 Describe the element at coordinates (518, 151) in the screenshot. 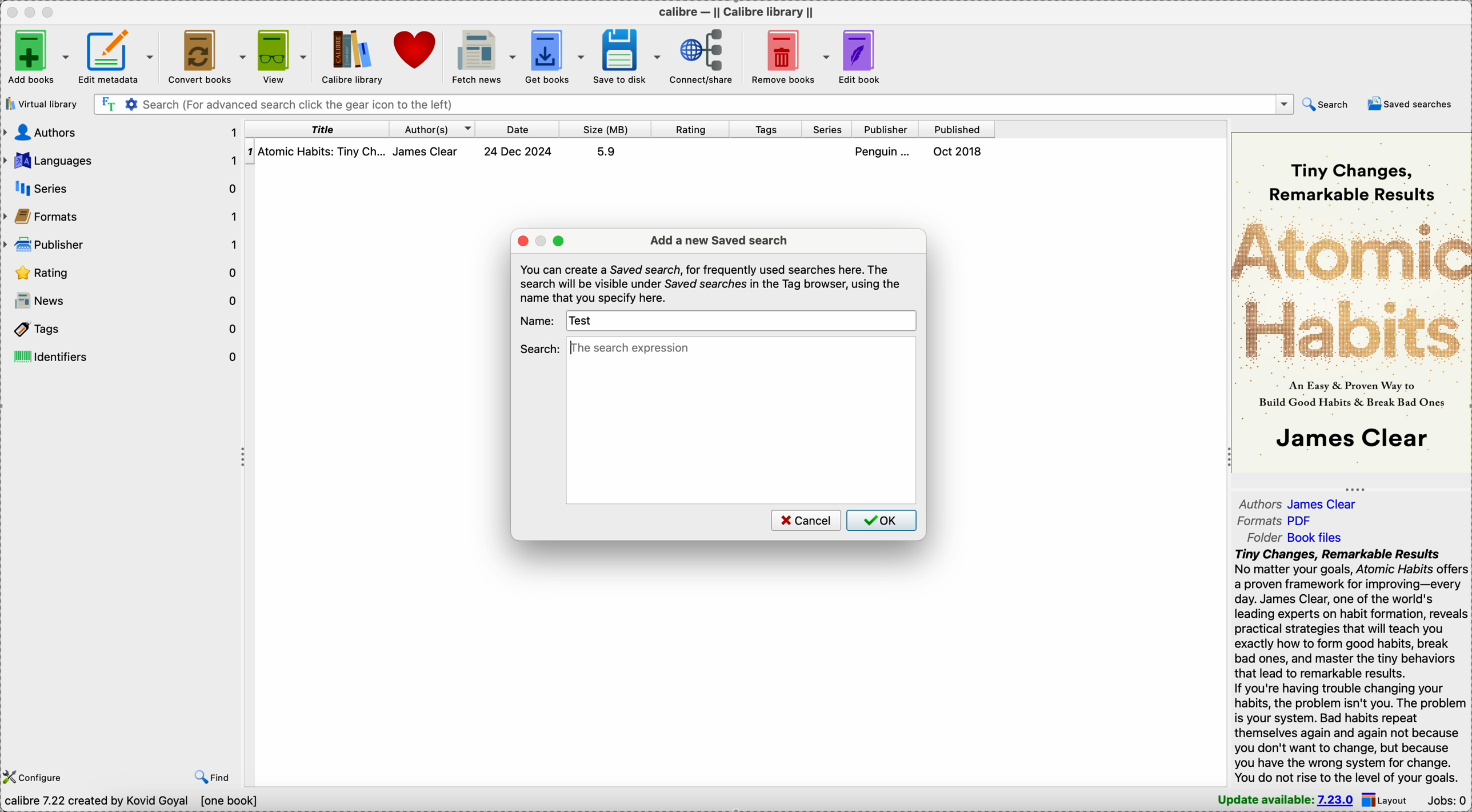

I see `24 Dec 2024` at that location.